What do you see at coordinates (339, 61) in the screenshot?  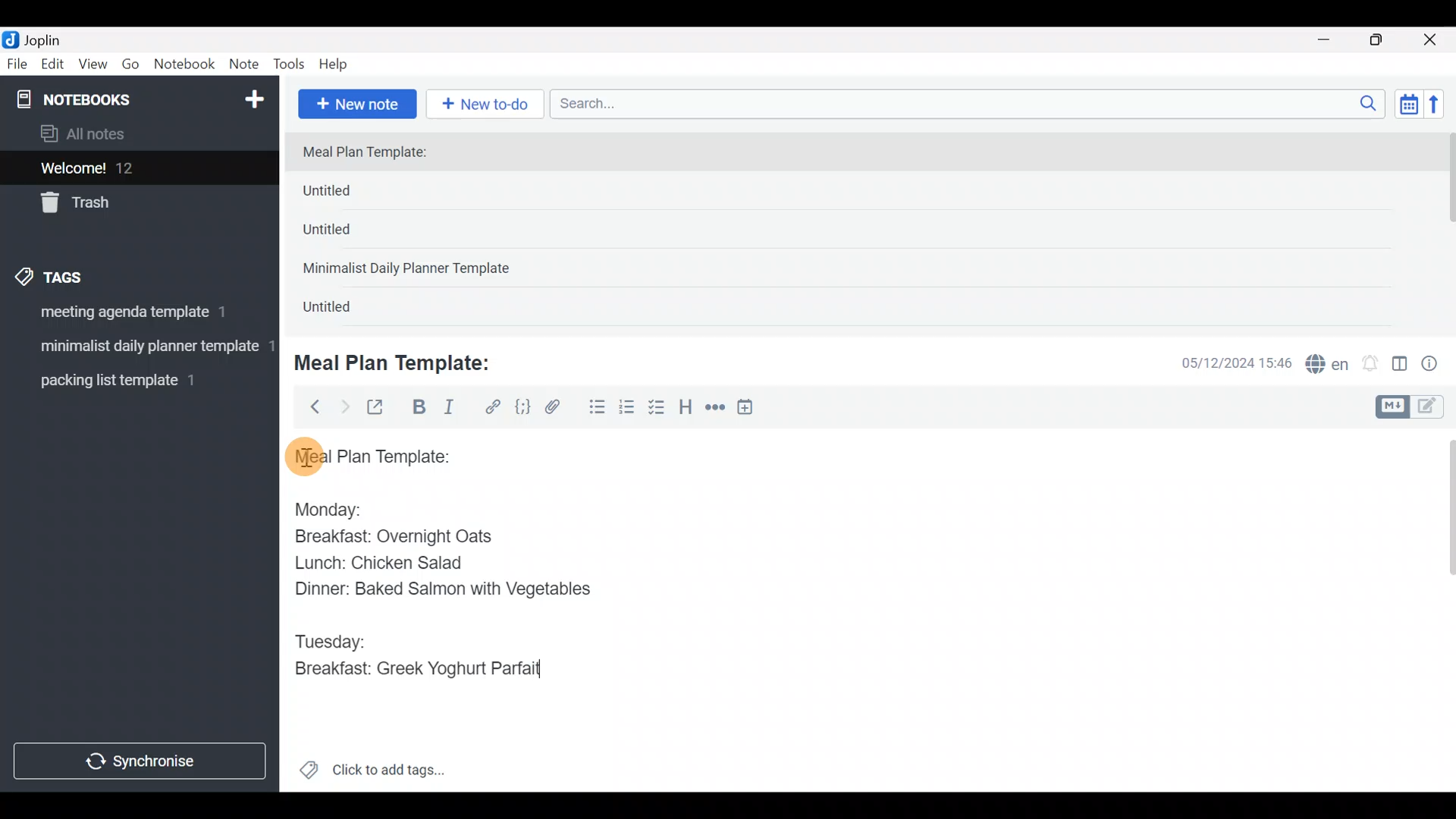 I see `Help` at bounding box center [339, 61].